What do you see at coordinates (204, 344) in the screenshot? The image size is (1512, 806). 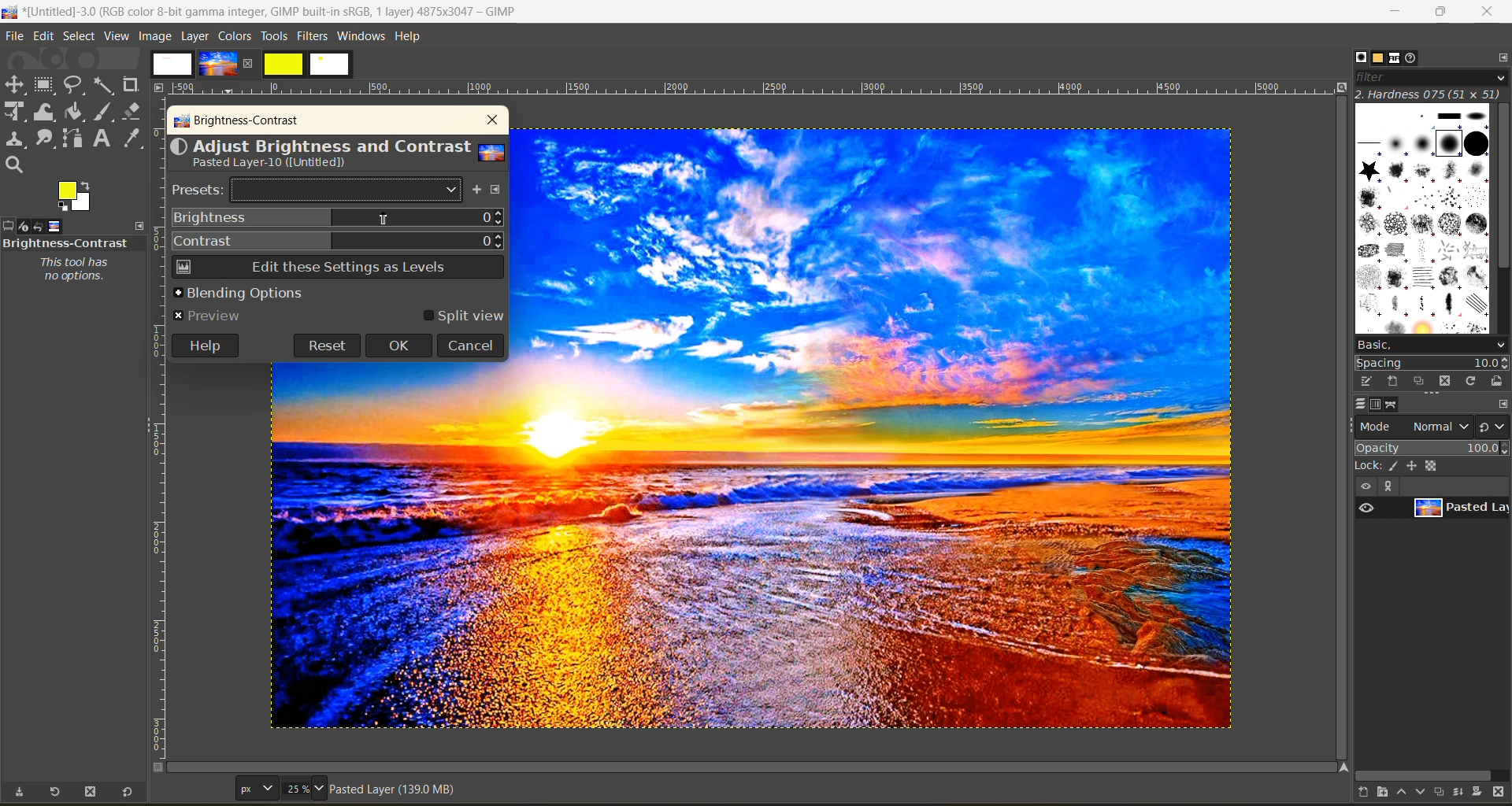 I see `help` at bounding box center [204, 344].